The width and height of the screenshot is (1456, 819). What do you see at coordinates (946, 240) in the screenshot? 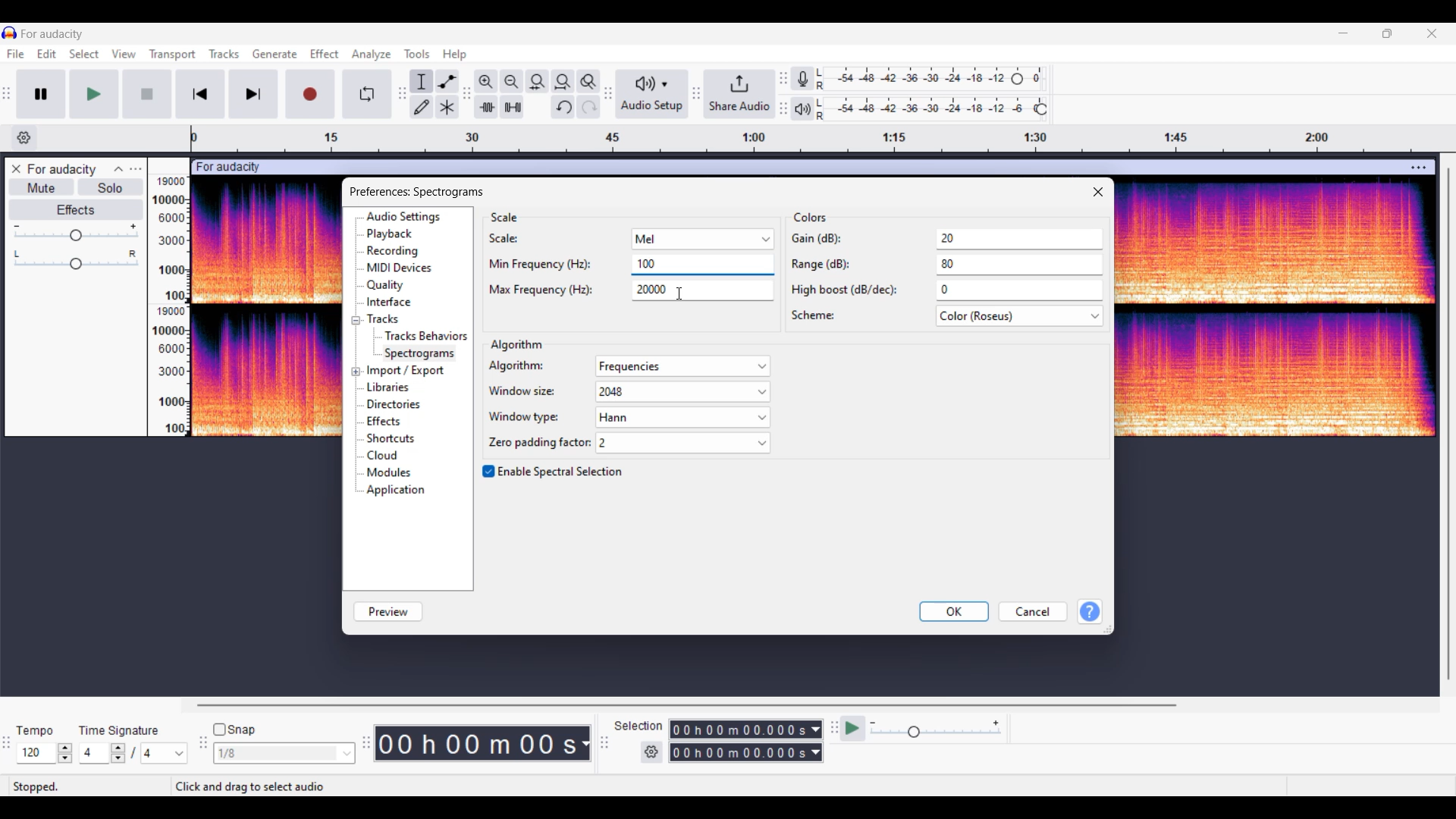
I see `gain` at bounding box center [946, 240].